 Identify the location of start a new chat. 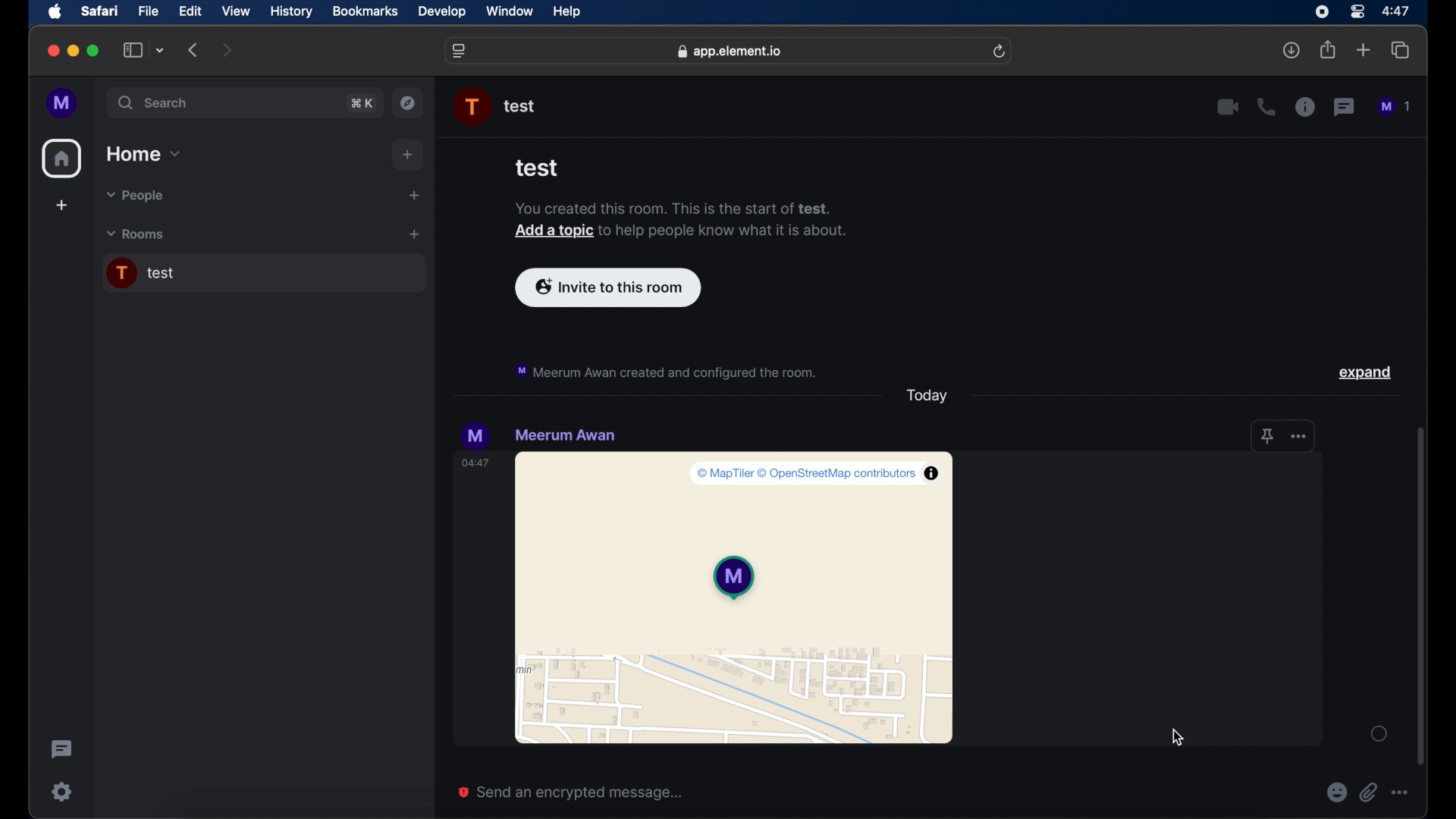
(414, 195).